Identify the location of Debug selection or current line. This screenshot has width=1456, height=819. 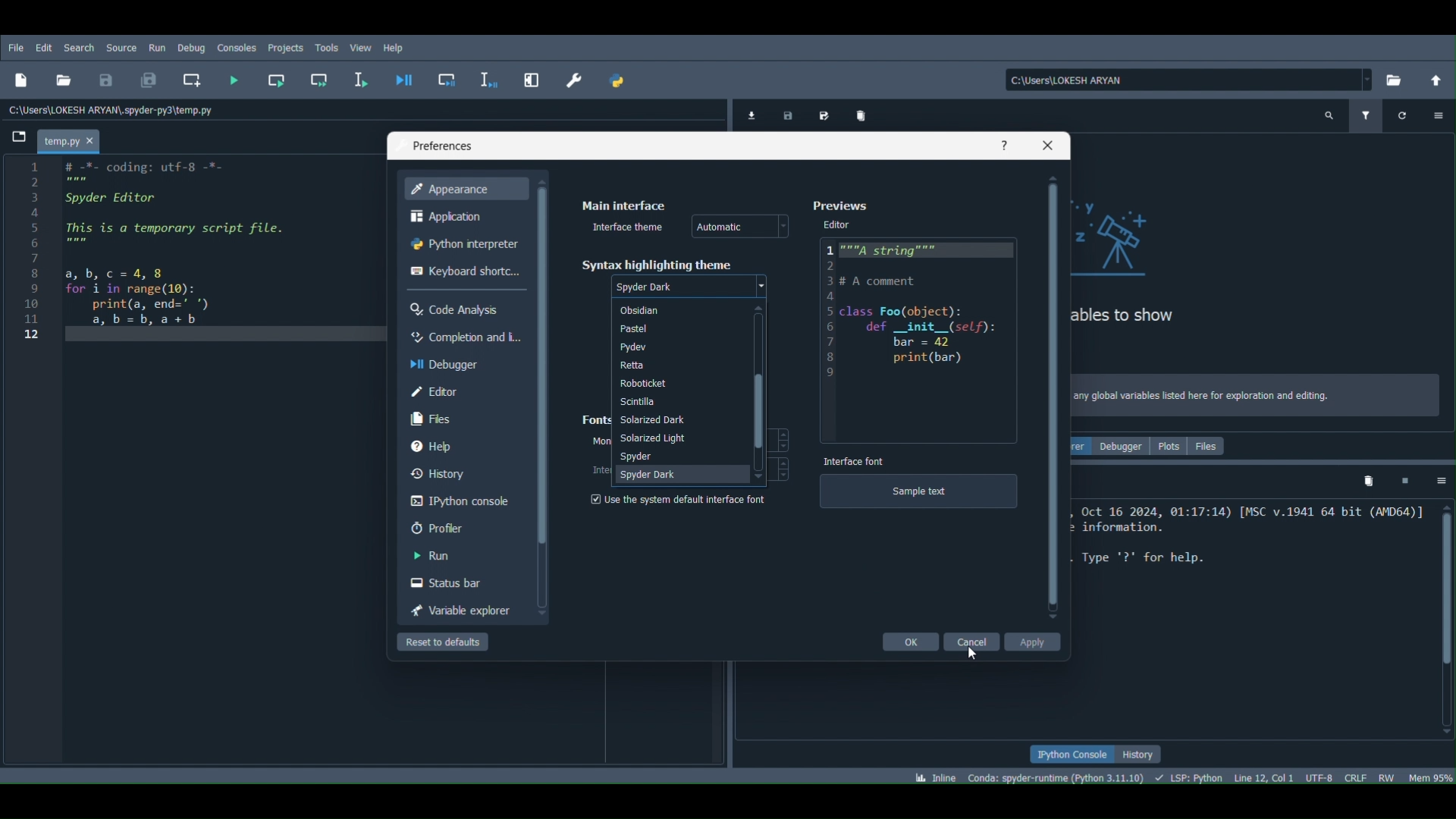
(483, 77).